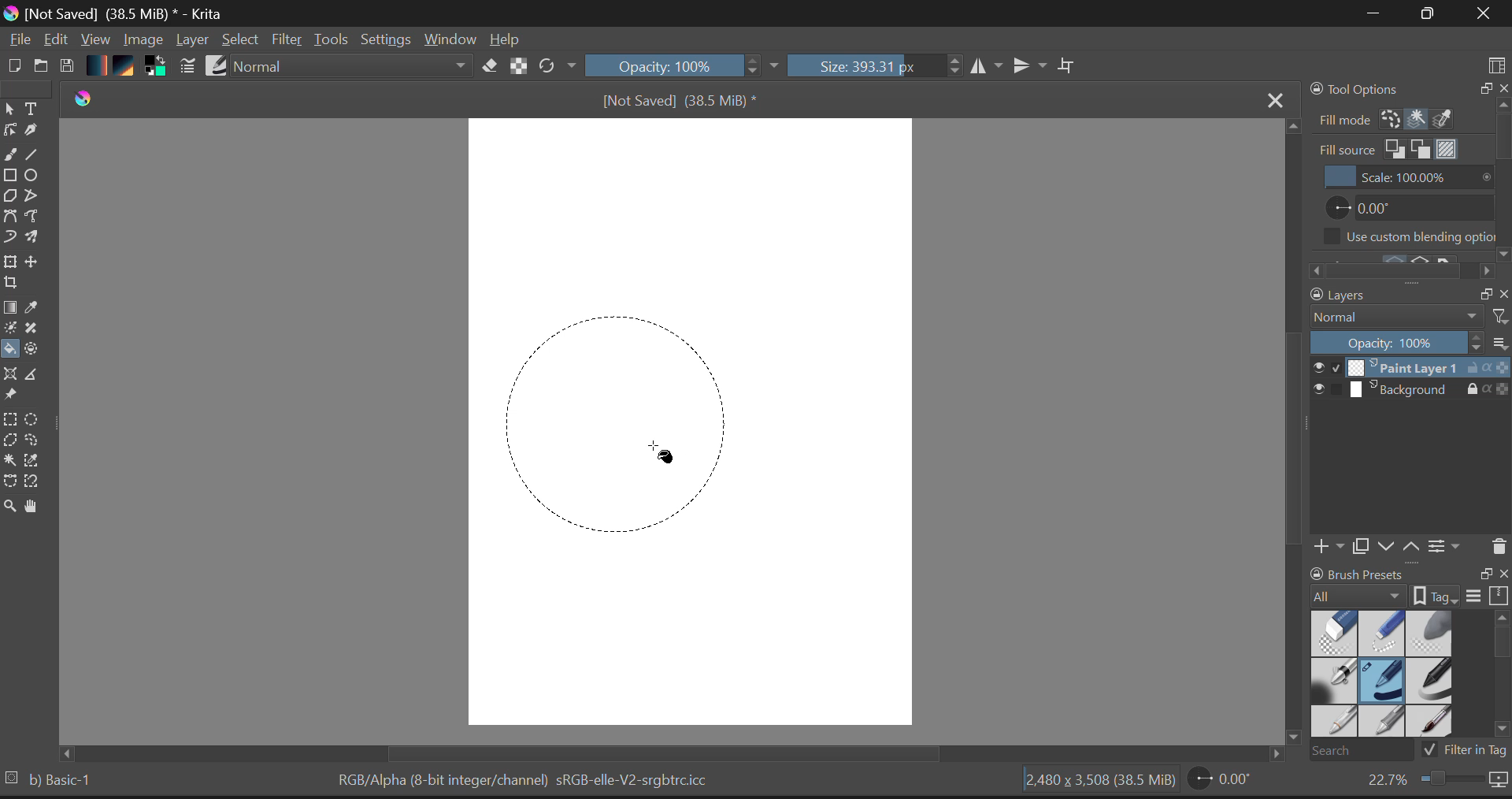 The height and width of the screenshot is (799, 1512). Describe the element at coordinates (618, 430) in the screenshot. I see `Mock Shape Generated` at that location.